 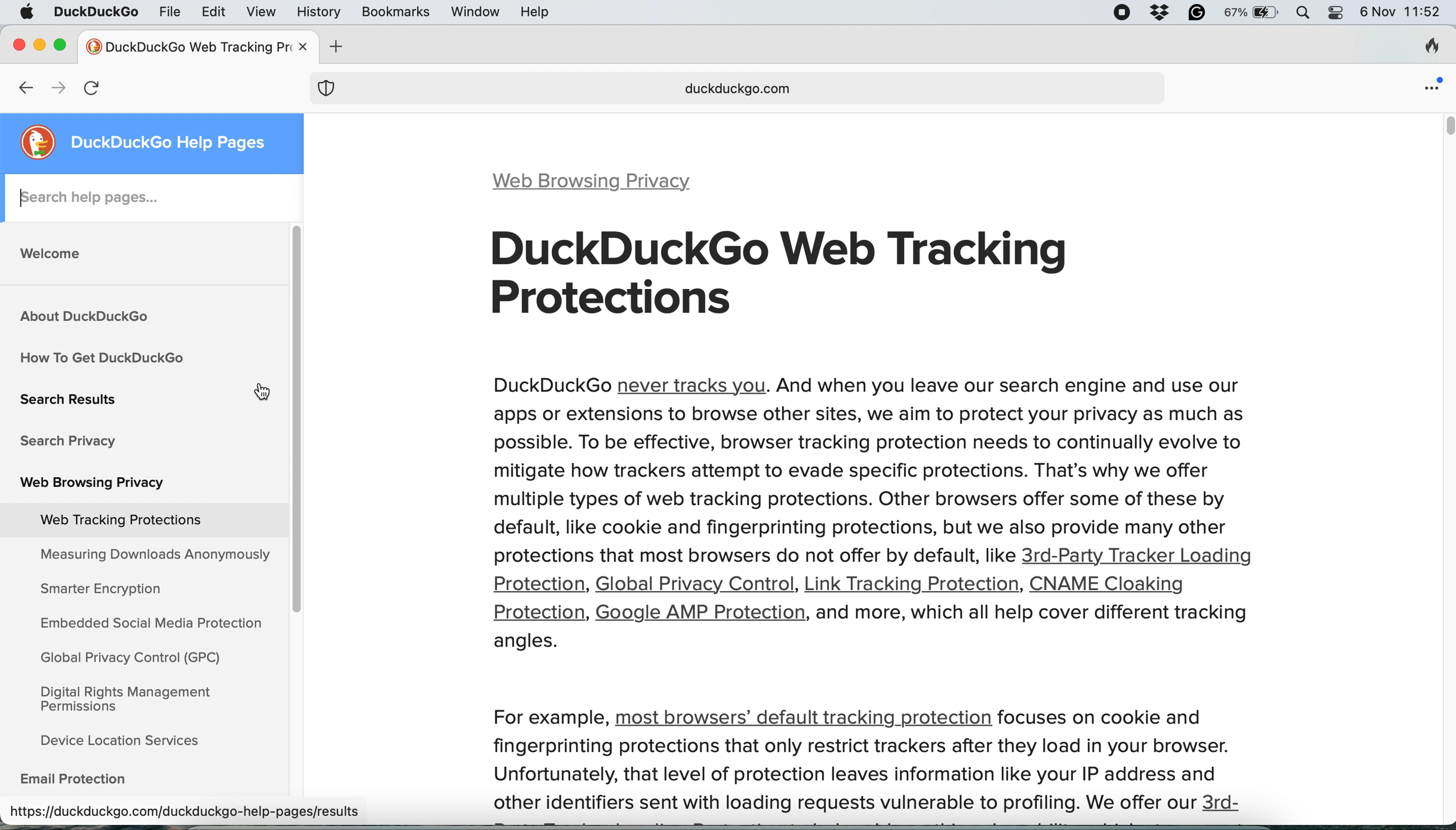 What do you see at coordinates (1198, 14) in the screenshot?
I see `grammarly` at bounding box center [1198, 14].